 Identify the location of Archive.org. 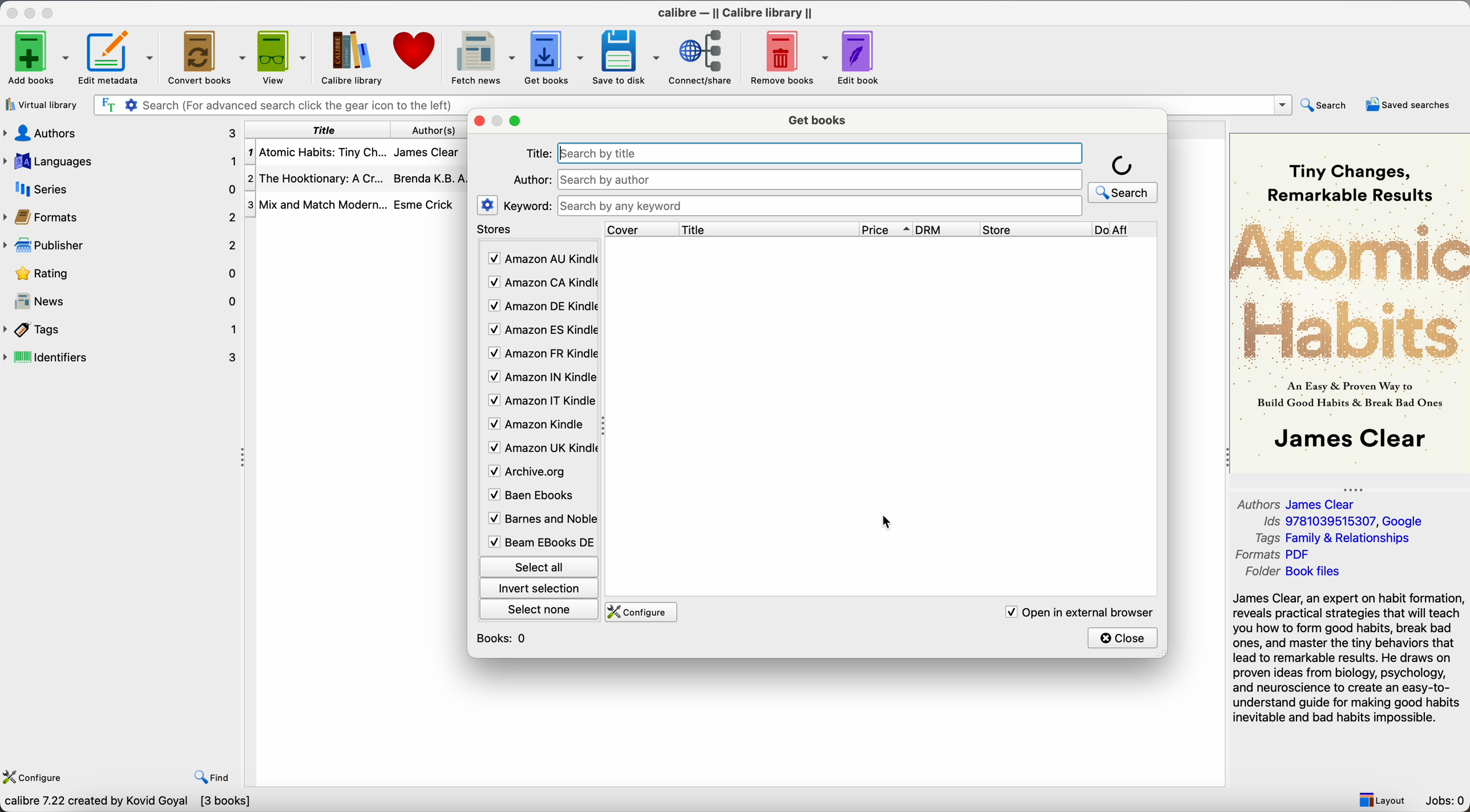
(538, 472).